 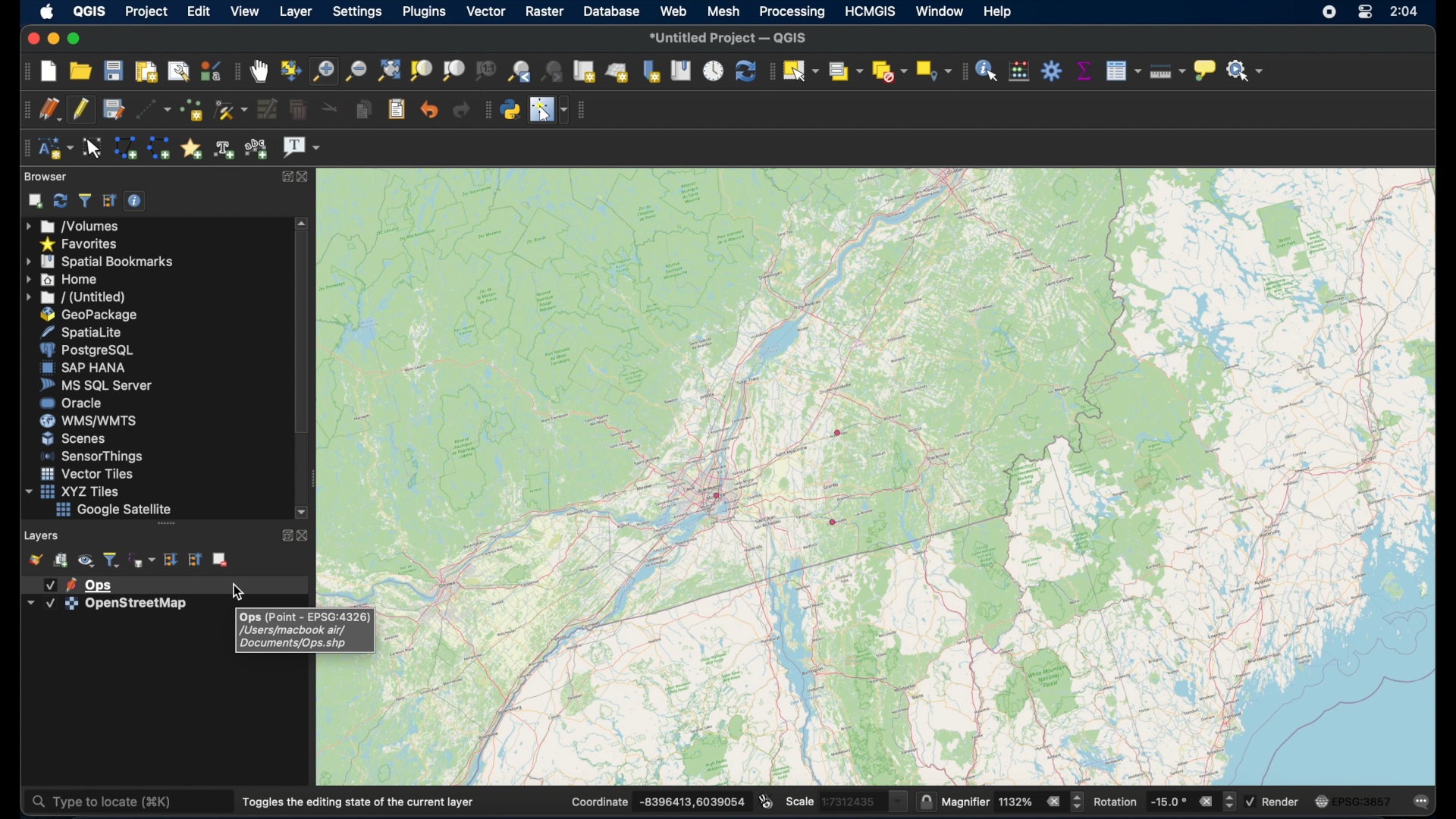 I want to click on database, so click(x=613, y=12).